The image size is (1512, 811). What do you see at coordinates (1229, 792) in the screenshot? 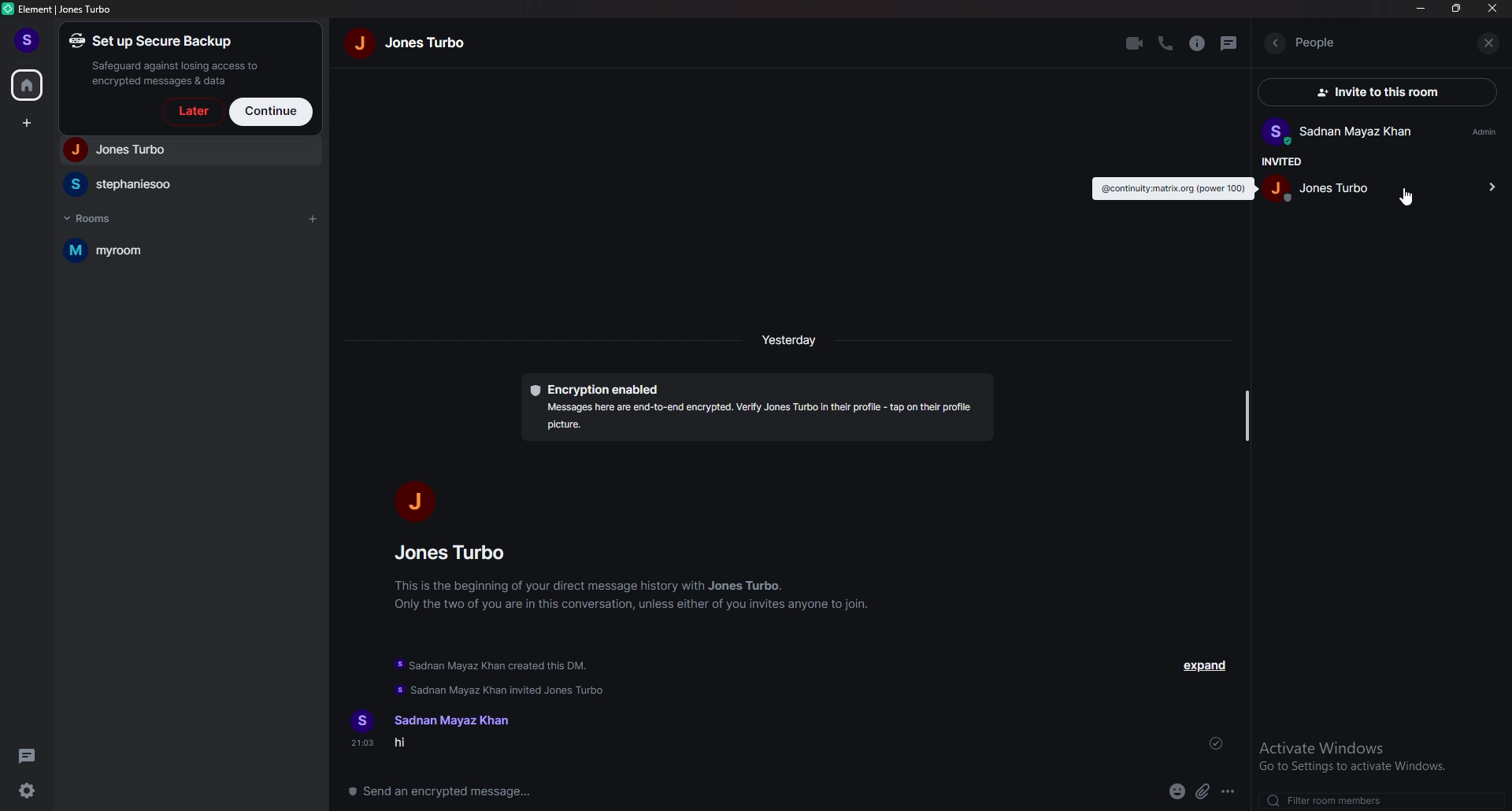
I see `options` at bounding box center [1229, 792].